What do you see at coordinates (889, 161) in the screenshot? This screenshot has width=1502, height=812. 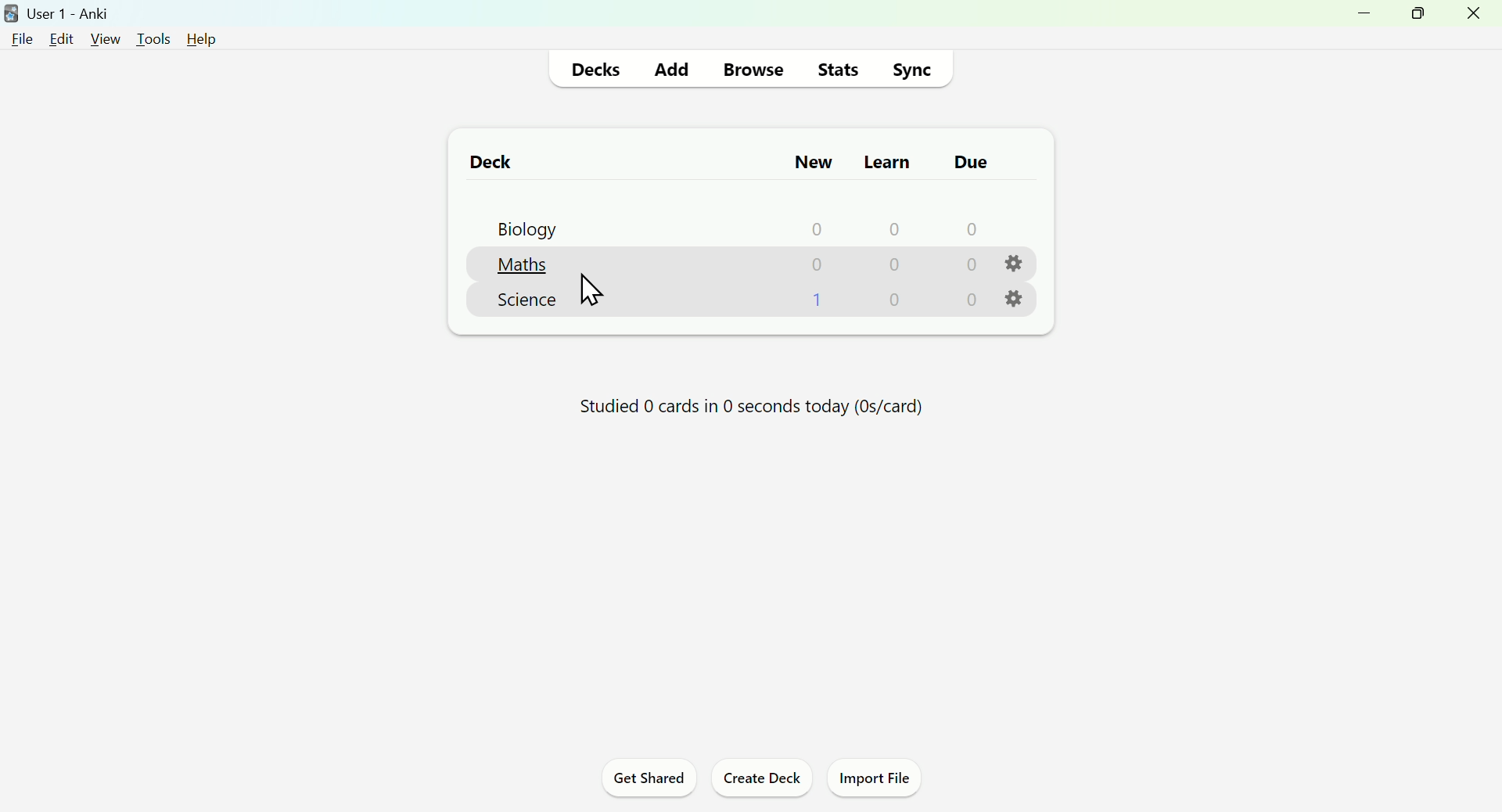 I see `Learn` at bounding box center [889, 161].